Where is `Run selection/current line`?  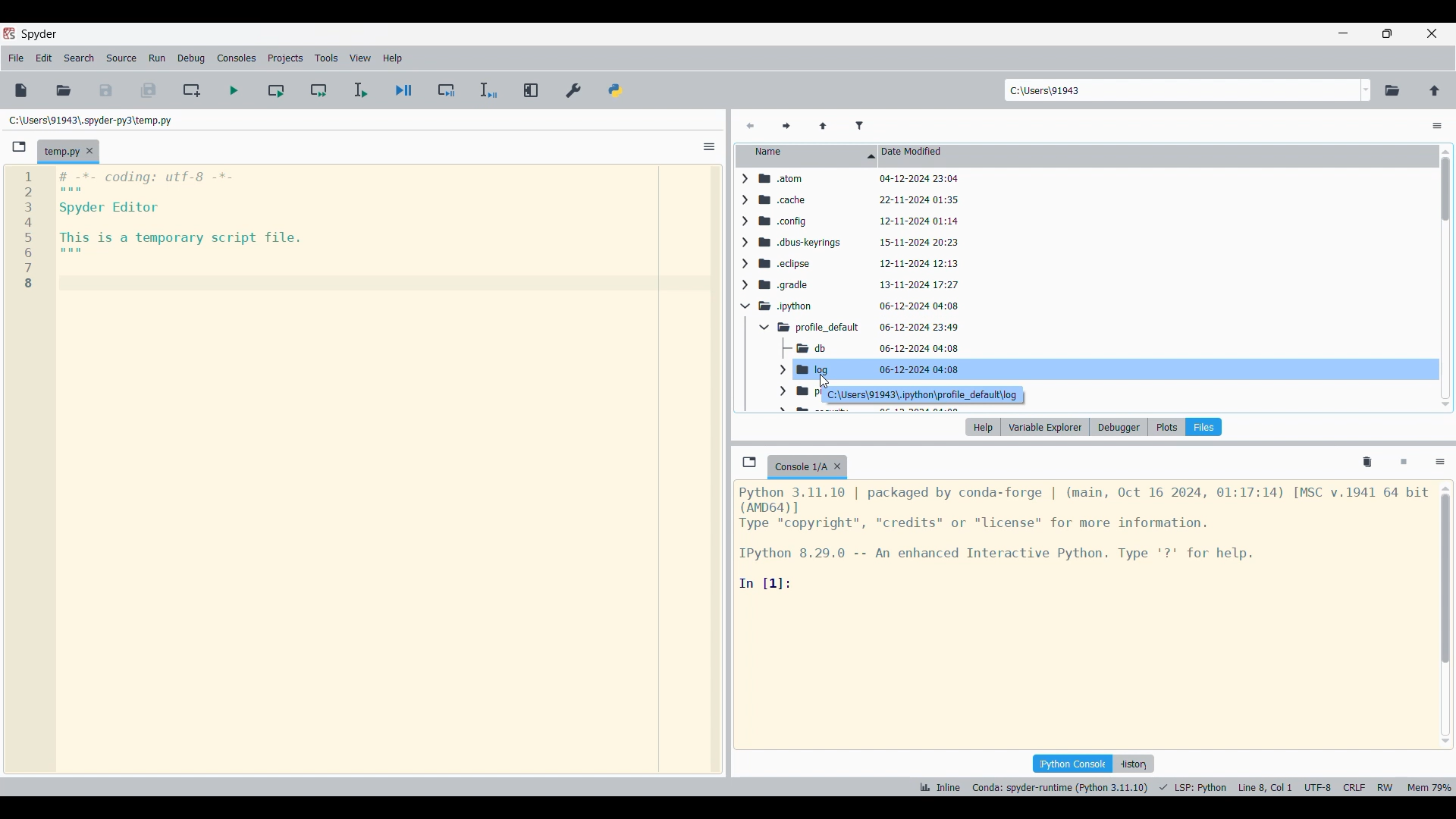 Run selection/current line is located at coordinates (360, 90).